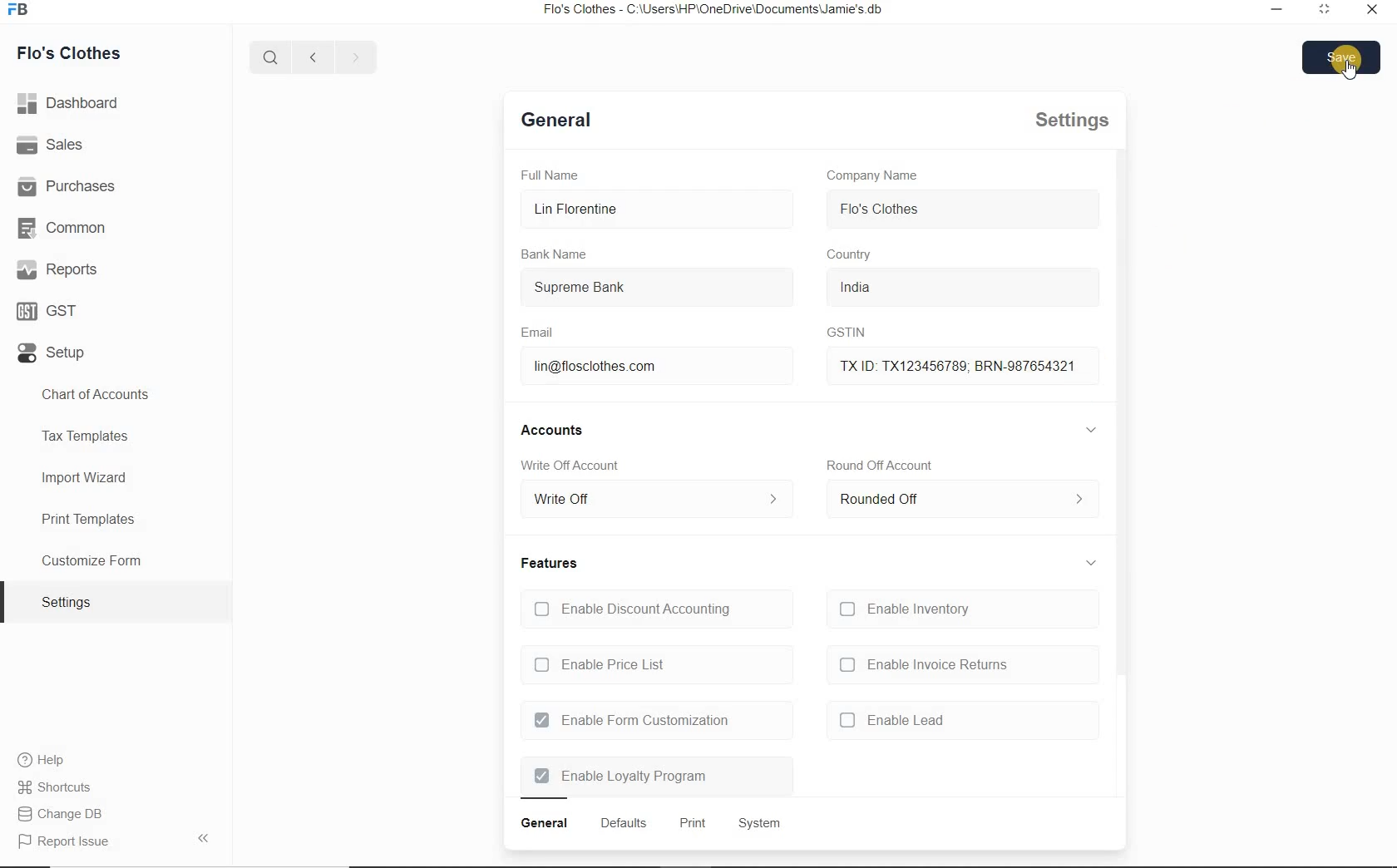  I want to click on Enable Discount Accounting, so click(631, 609).